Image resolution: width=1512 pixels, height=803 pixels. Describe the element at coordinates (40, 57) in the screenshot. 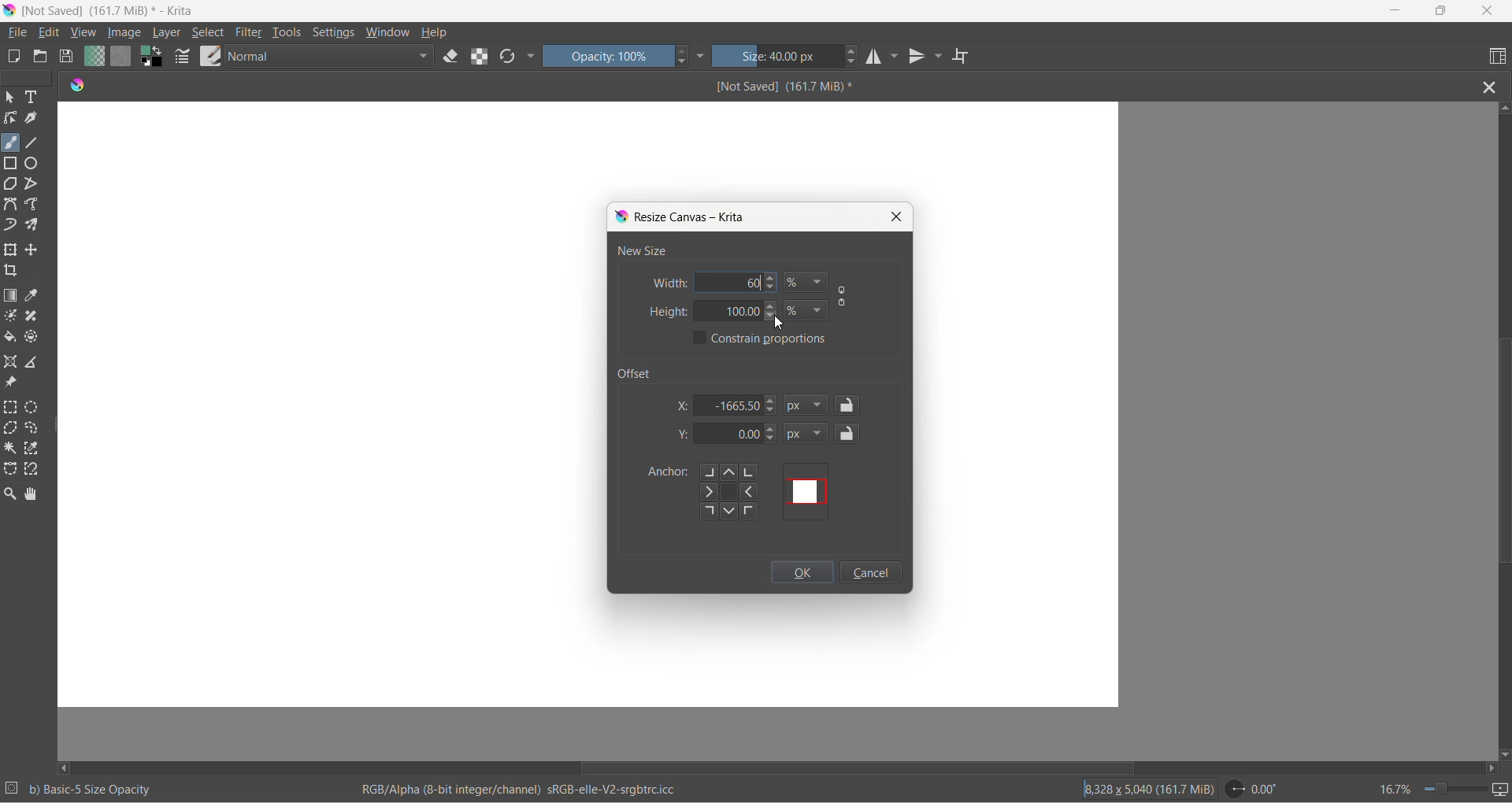

I see `open document` at that location.